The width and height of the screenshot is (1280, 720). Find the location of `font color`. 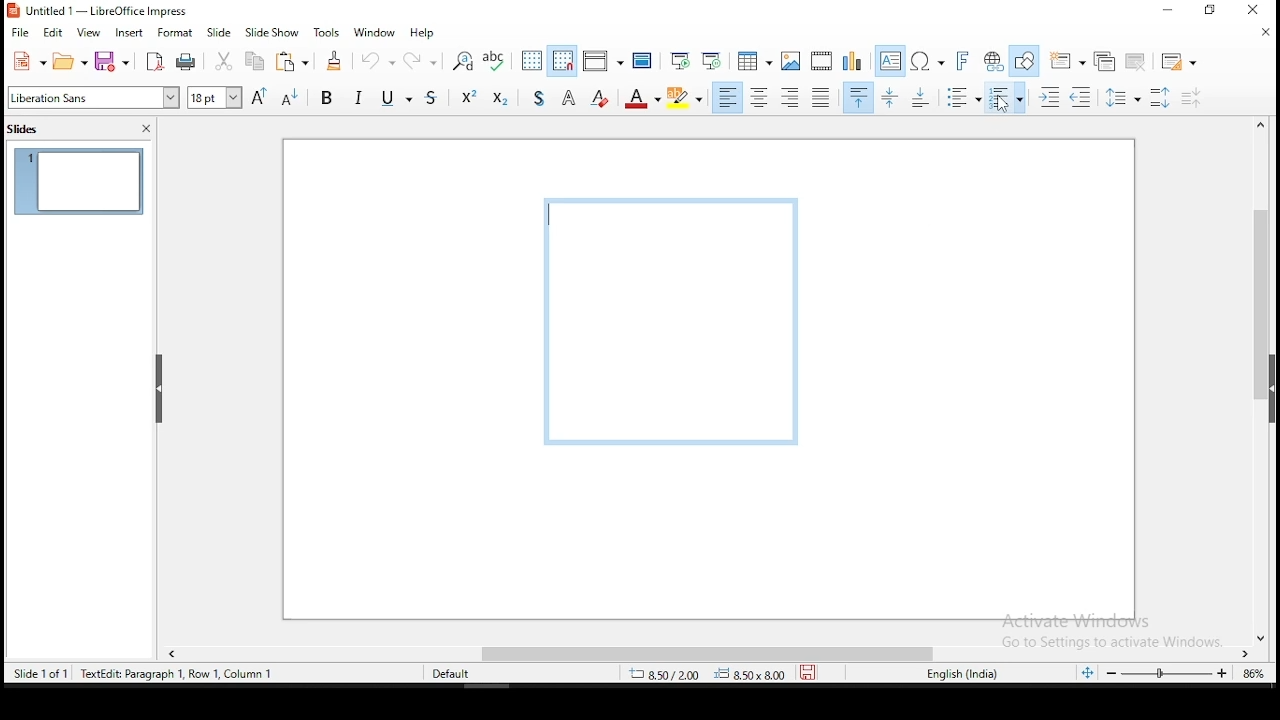

font color is located at coordinates (643, 98).